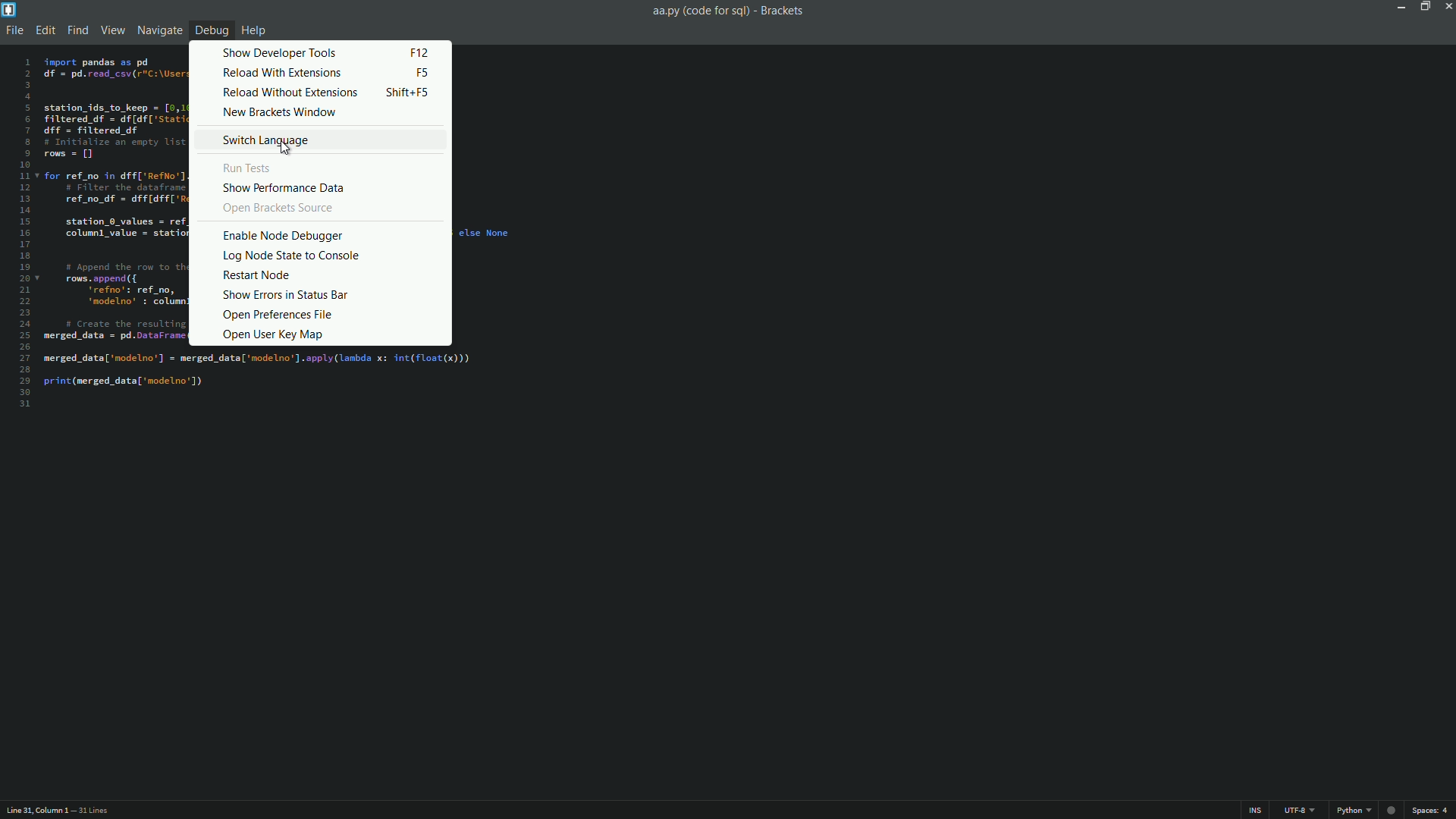  Describe the element at coordinates (425, 71) in the screenshot. I see `keyboard shortcut` at that location.